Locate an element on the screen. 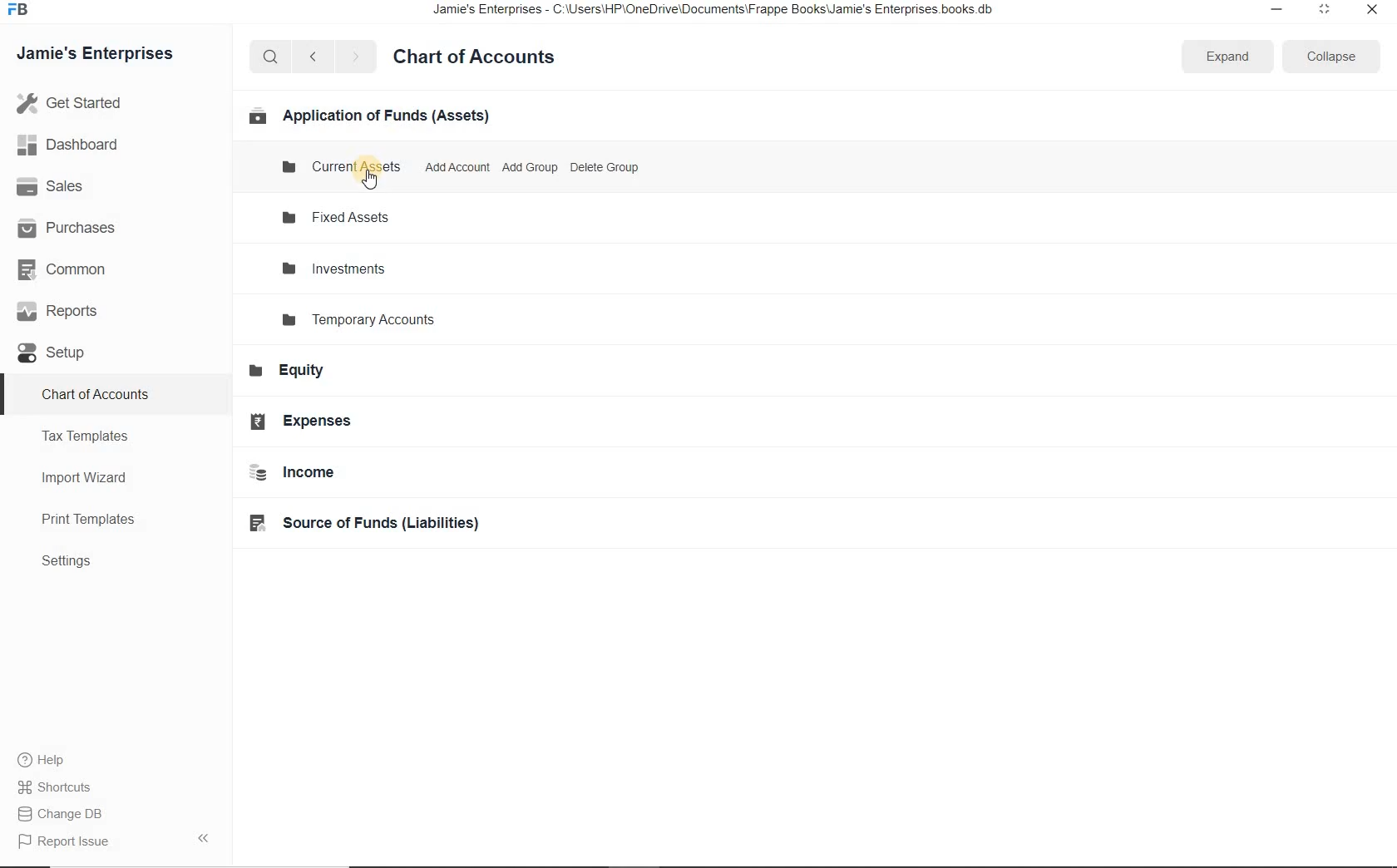 The image size is (1397, 868). expand is located at coordinates (1226, 57).